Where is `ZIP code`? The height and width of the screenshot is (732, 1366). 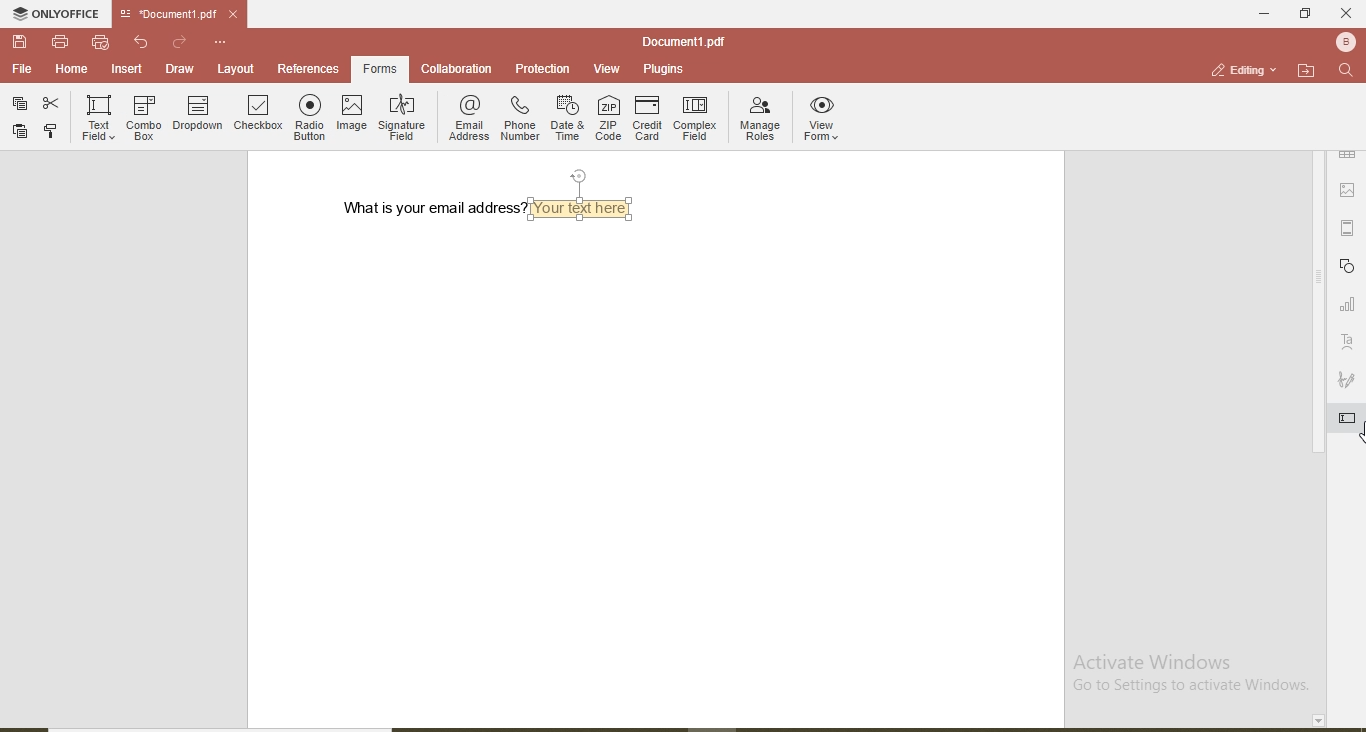
ZIP code is located at coordinates (611, 119).